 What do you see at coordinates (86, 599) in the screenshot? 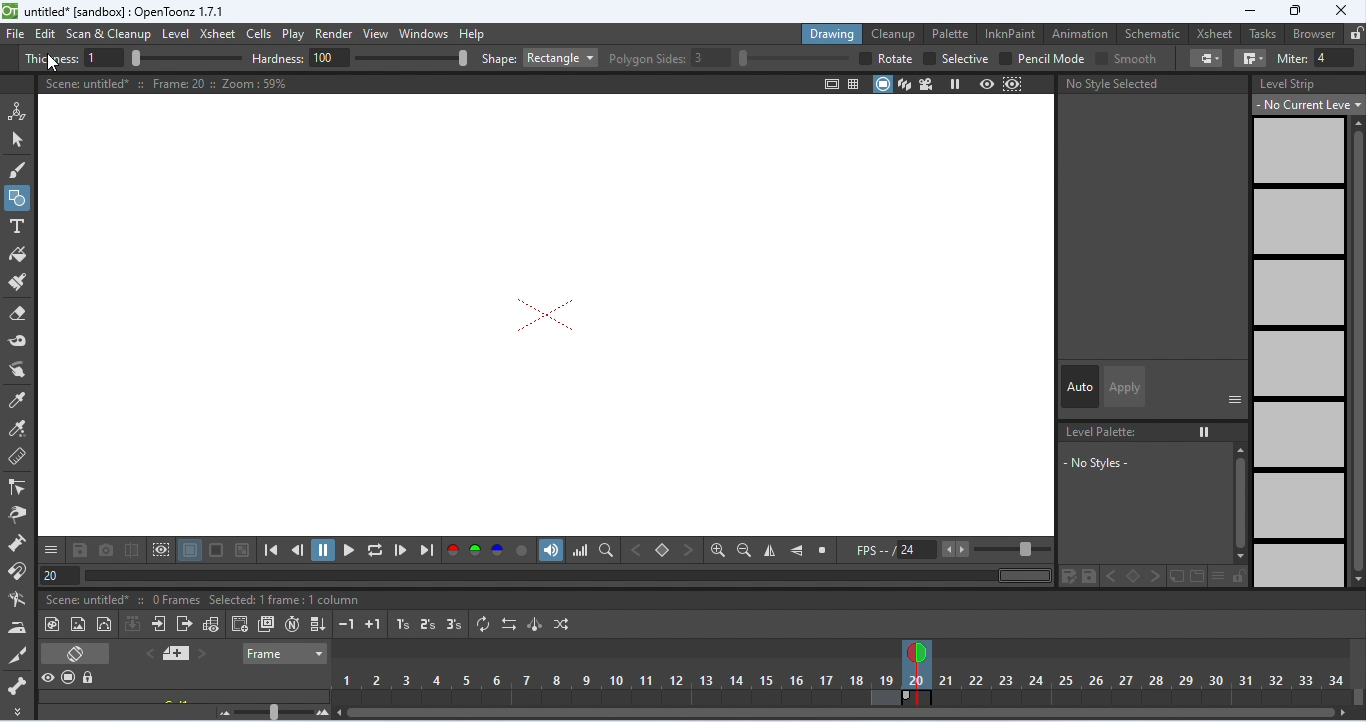
I see `scene untitled` at bounding box center [86, 599].